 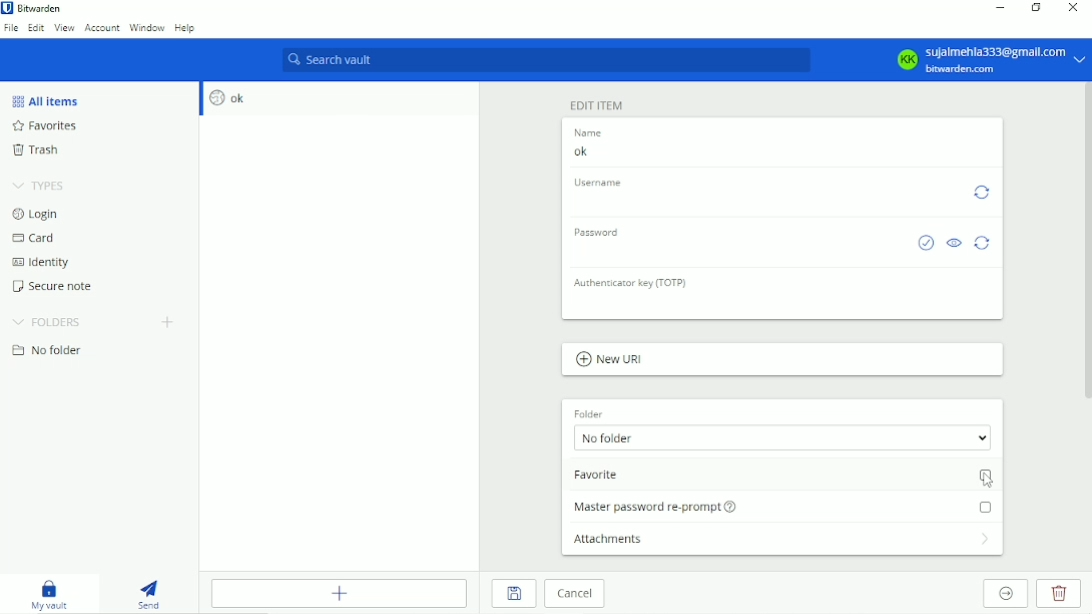 I want to click on All items, so click(x=46, y=101).